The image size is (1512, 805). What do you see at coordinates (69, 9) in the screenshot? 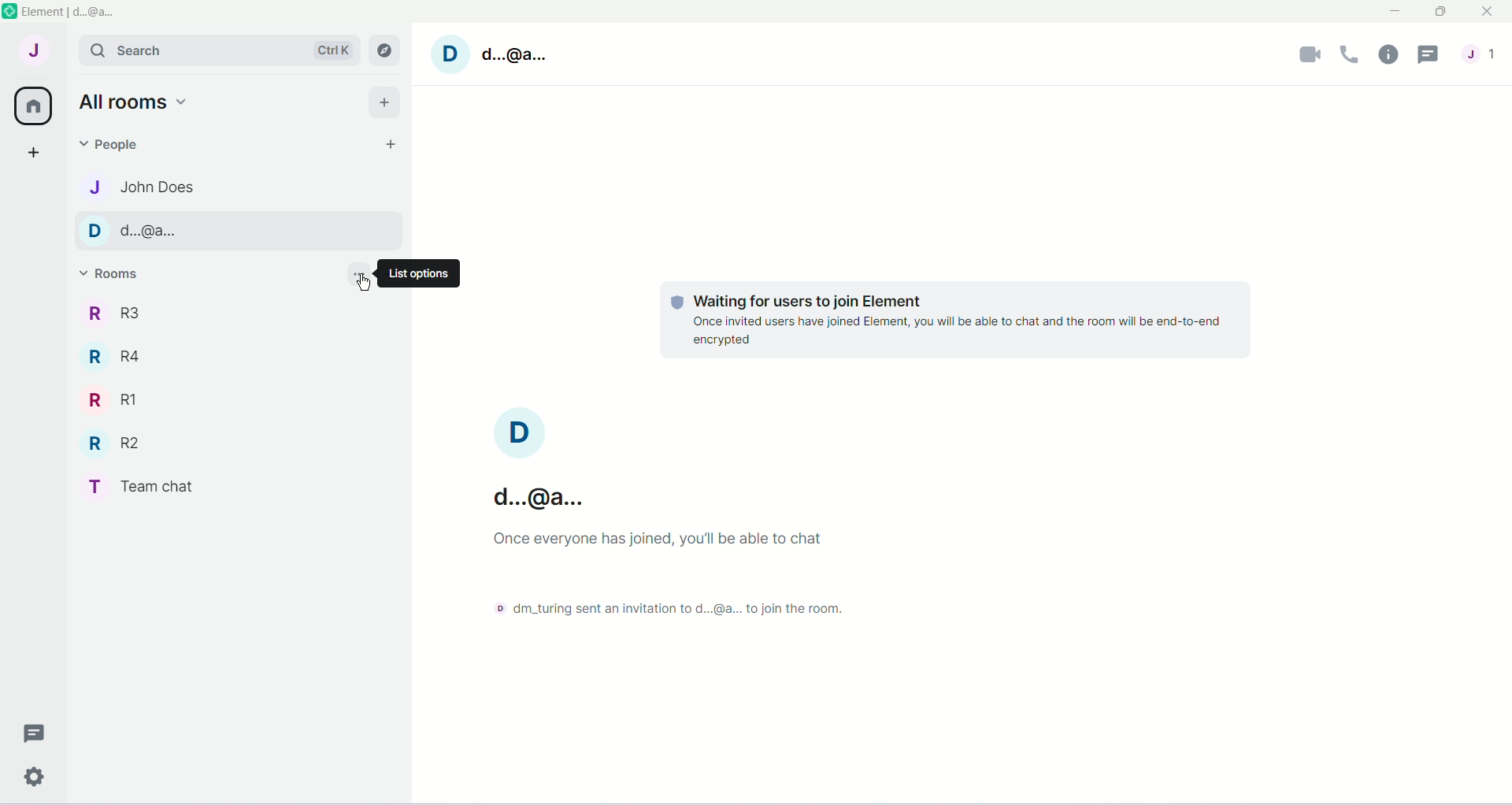
I see `Element d..@a` at bounding box center [69, 9].